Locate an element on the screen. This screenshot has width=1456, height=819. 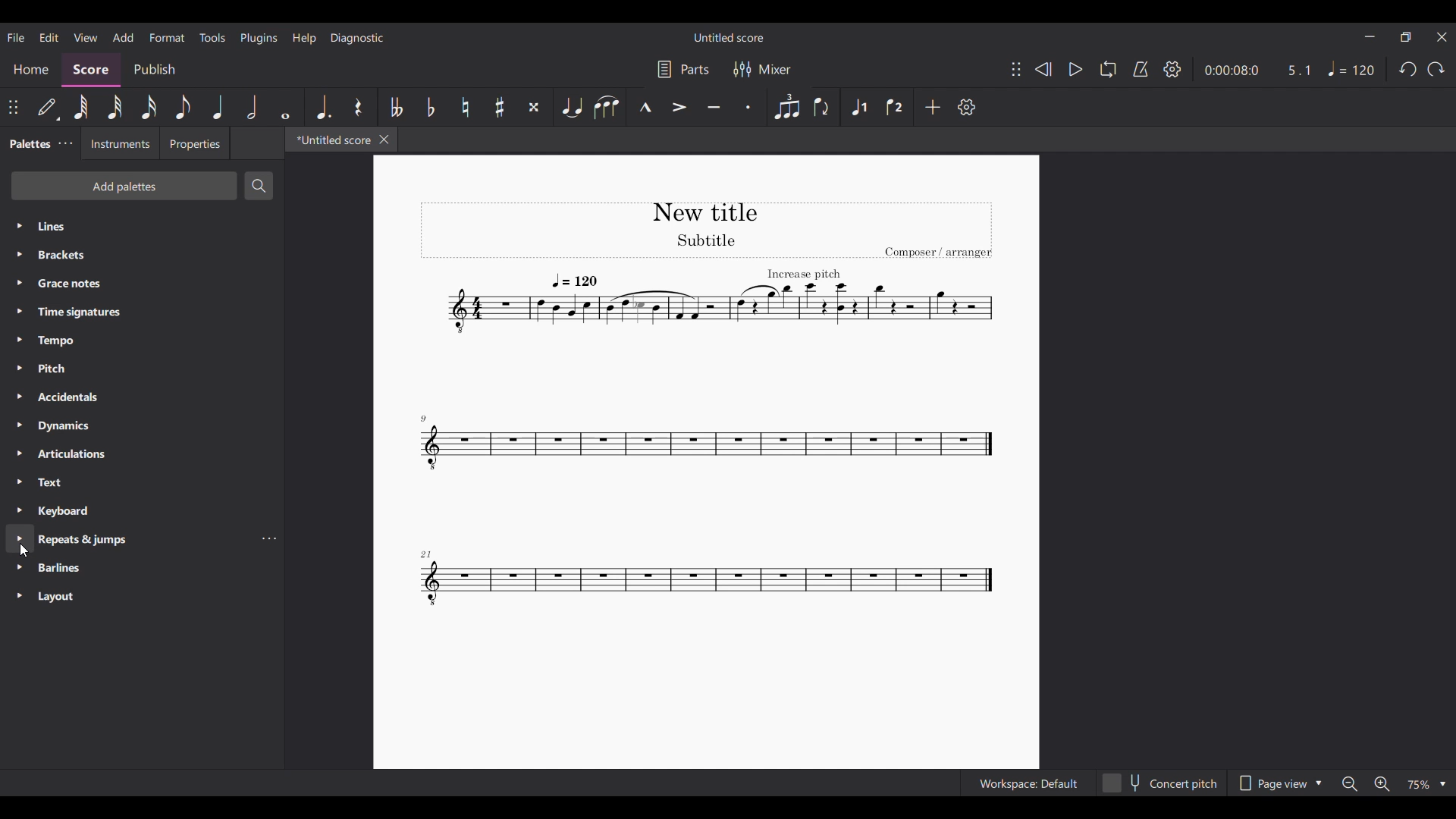
Accidentals is located at coordinates (142, 397).